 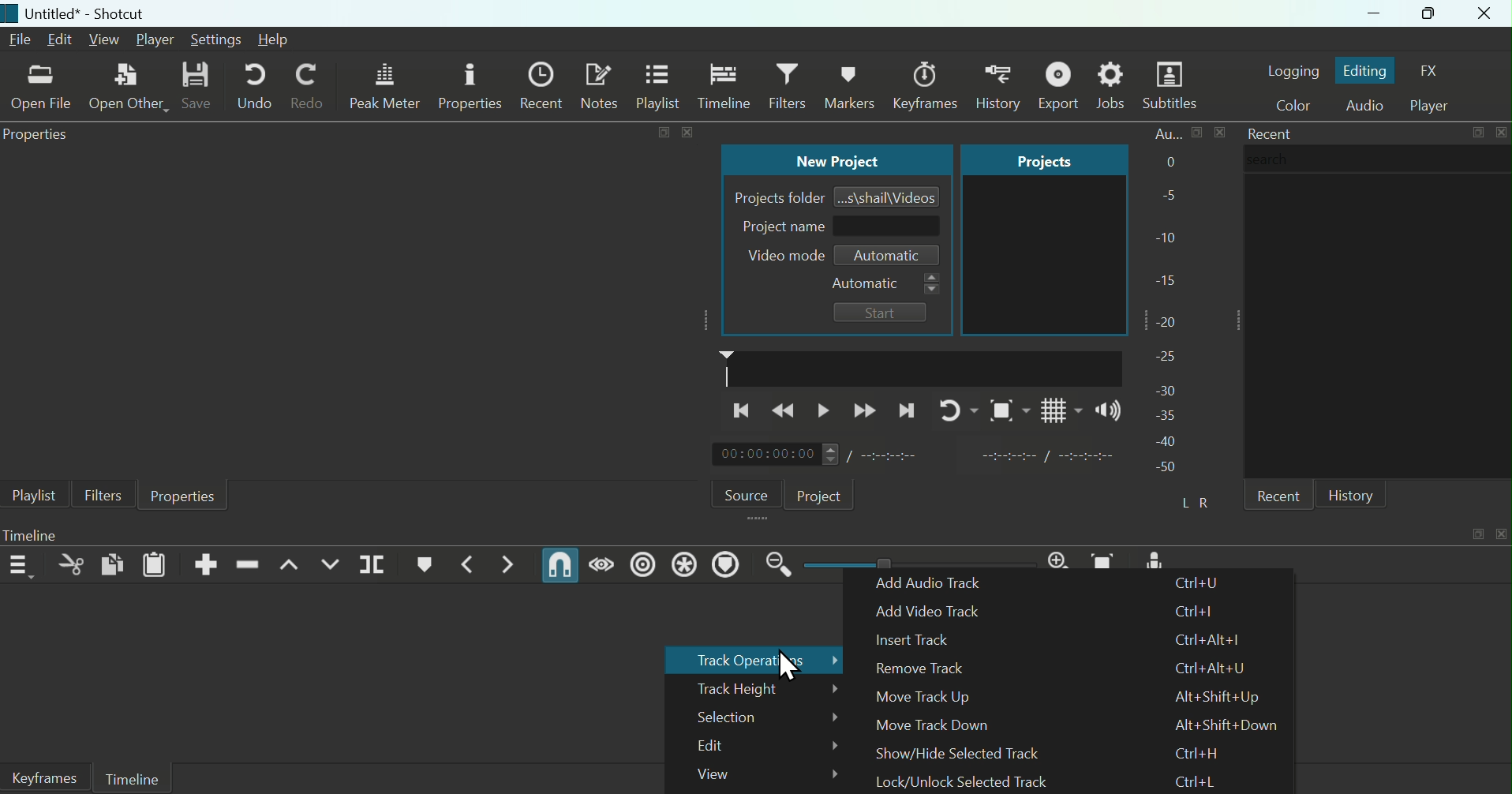 What do you see at coordinates (51, 534) in the screenshot?
I see `Timeline` at bounding box center [51, 534].